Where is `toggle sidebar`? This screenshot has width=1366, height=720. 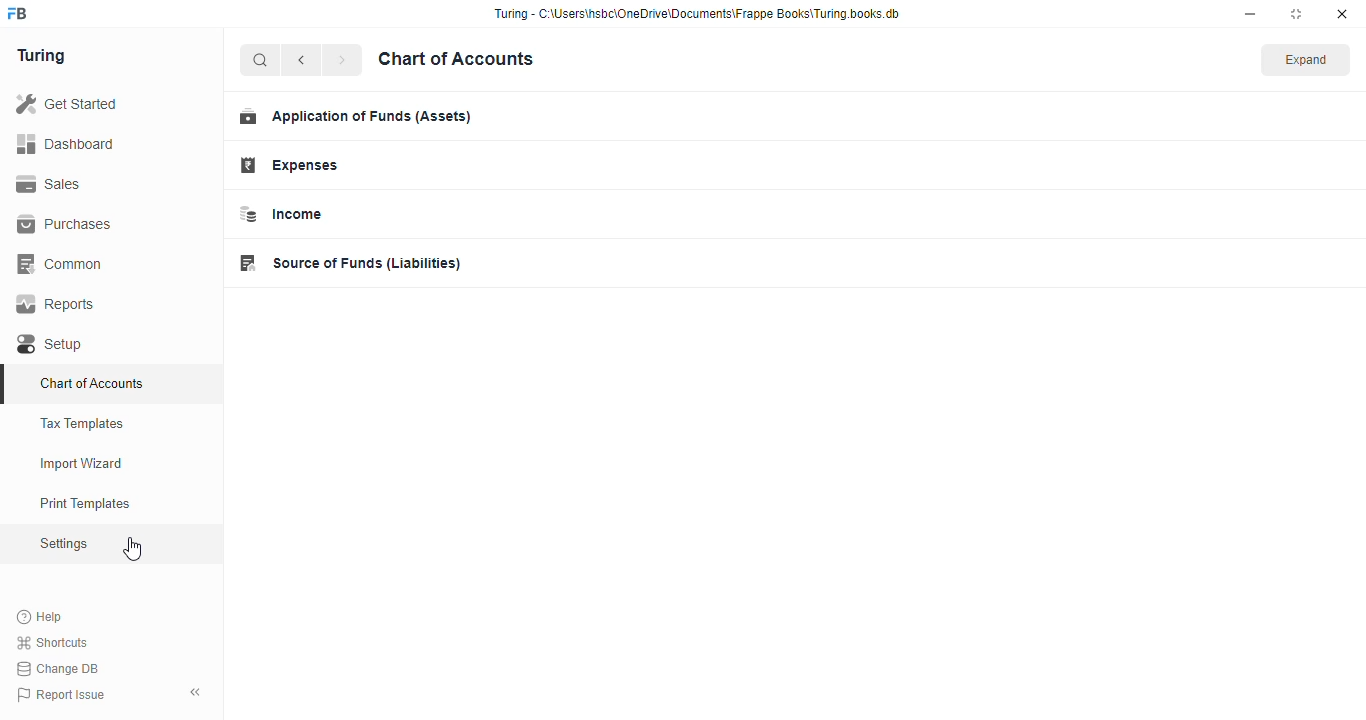
toggle sidebar is located at coordinates (198, 691).